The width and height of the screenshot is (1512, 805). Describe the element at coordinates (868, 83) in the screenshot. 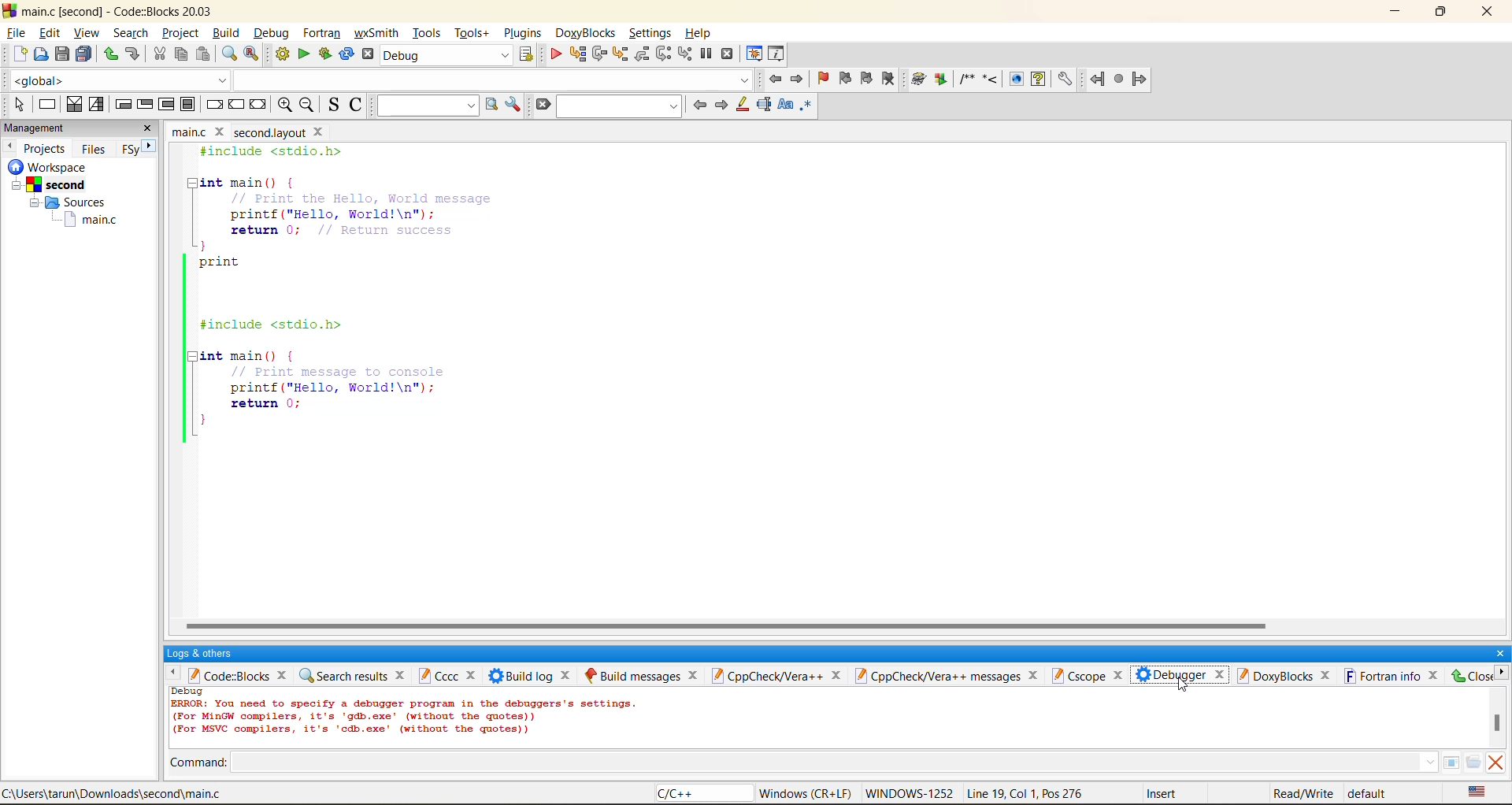

I see `next bookmark` at that location.